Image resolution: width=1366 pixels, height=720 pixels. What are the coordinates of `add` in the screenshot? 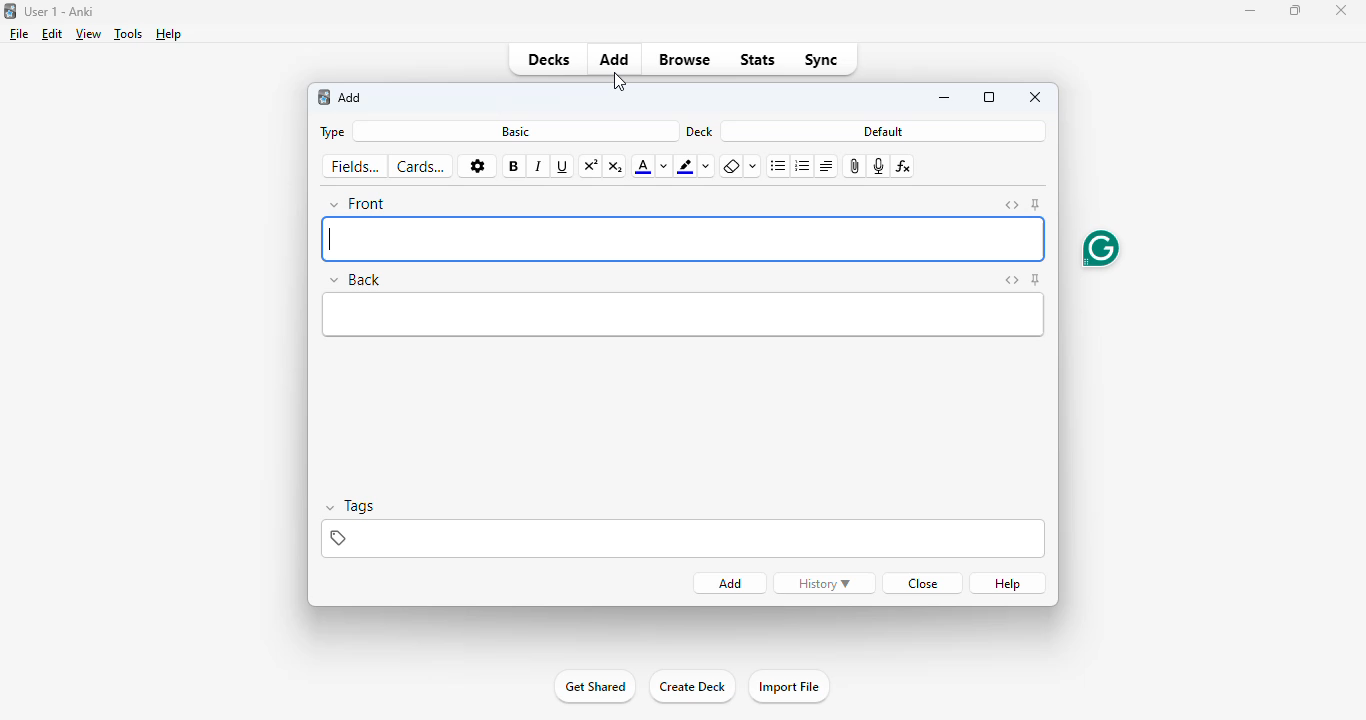 It's located at (731, 584).